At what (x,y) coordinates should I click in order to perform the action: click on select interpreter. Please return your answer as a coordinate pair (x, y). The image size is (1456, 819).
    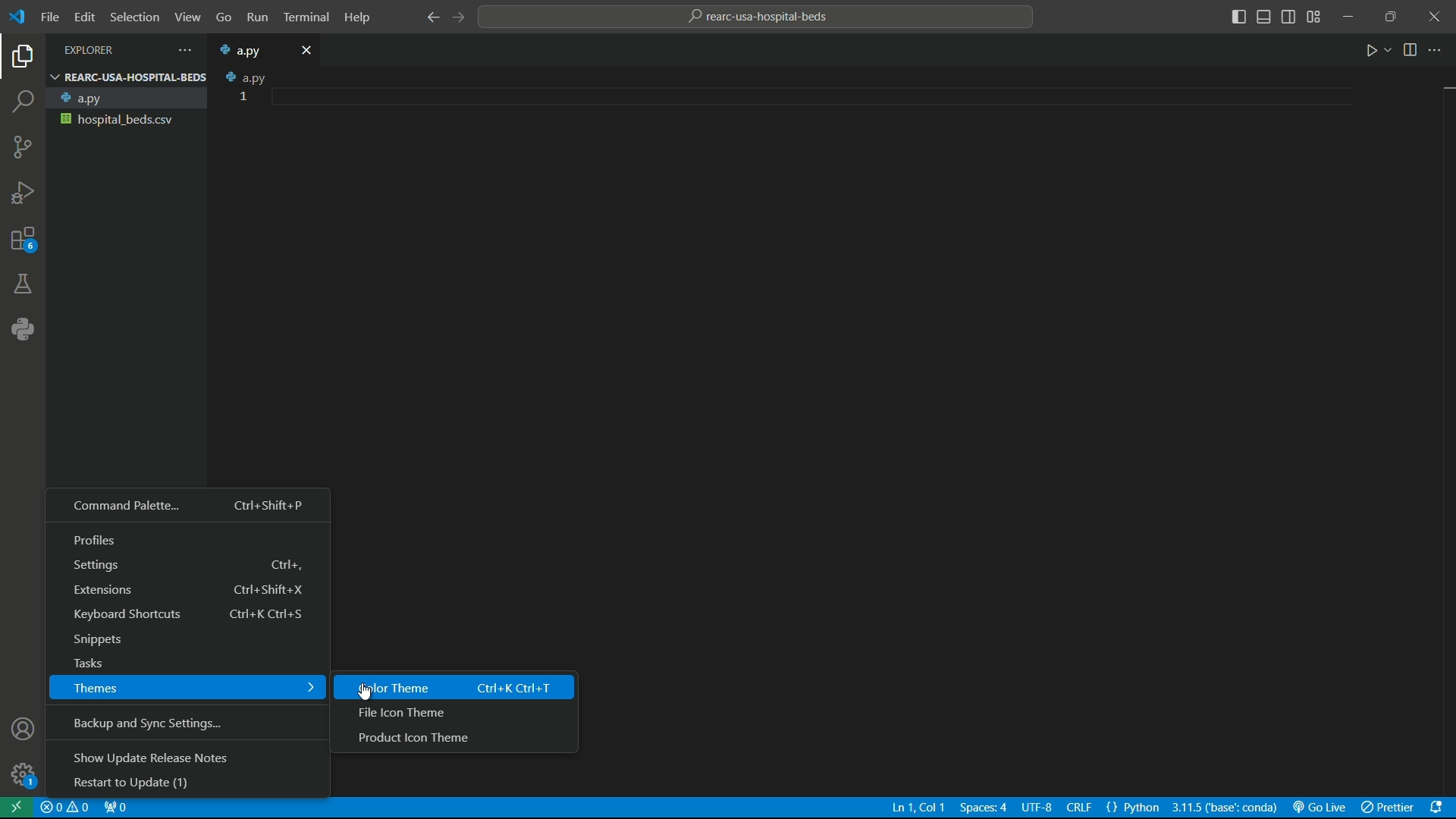
    Looking at the image, I should click on (1225, 808).